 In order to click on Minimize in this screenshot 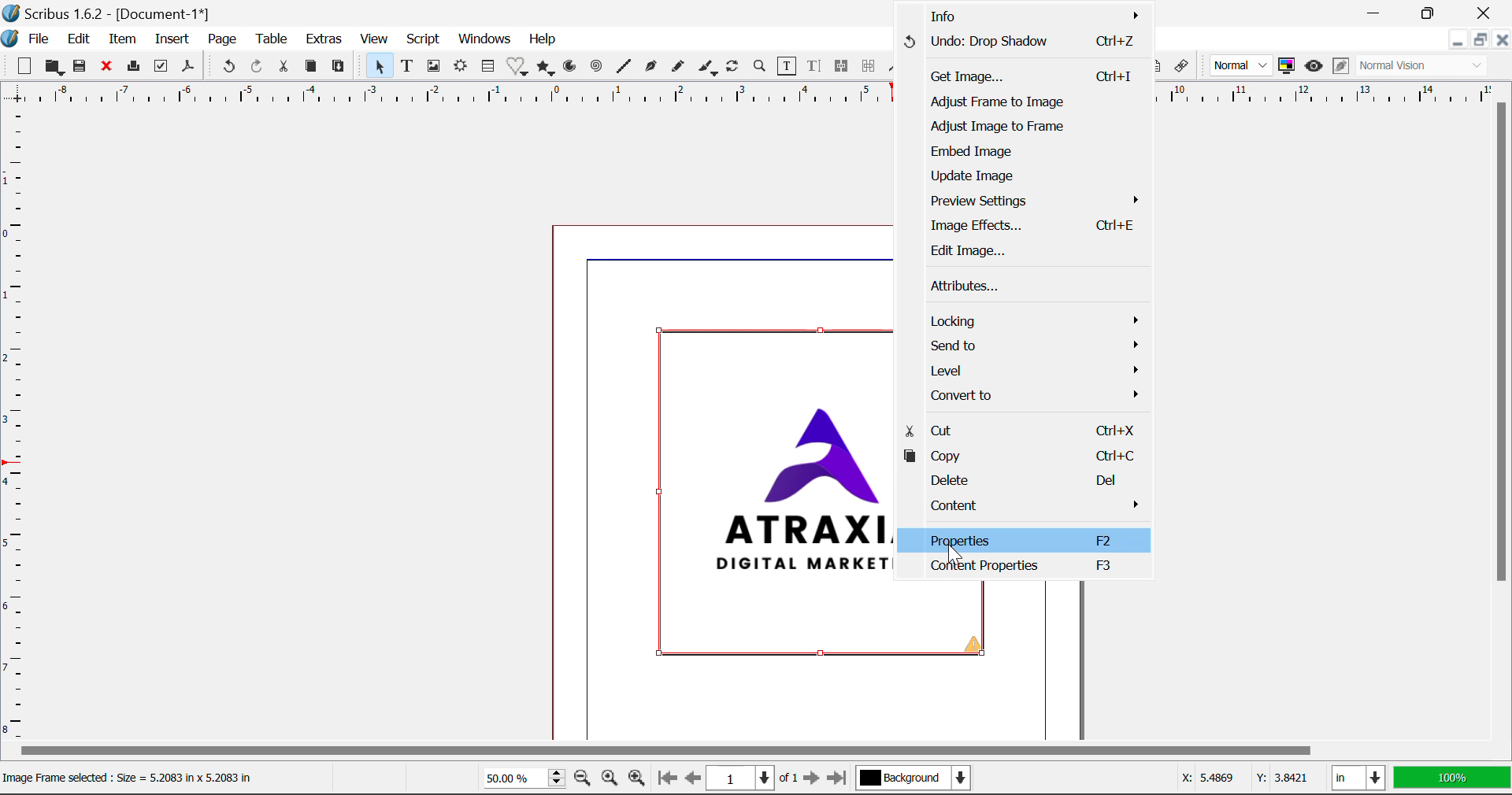, I will do `click(1430, 11)`.